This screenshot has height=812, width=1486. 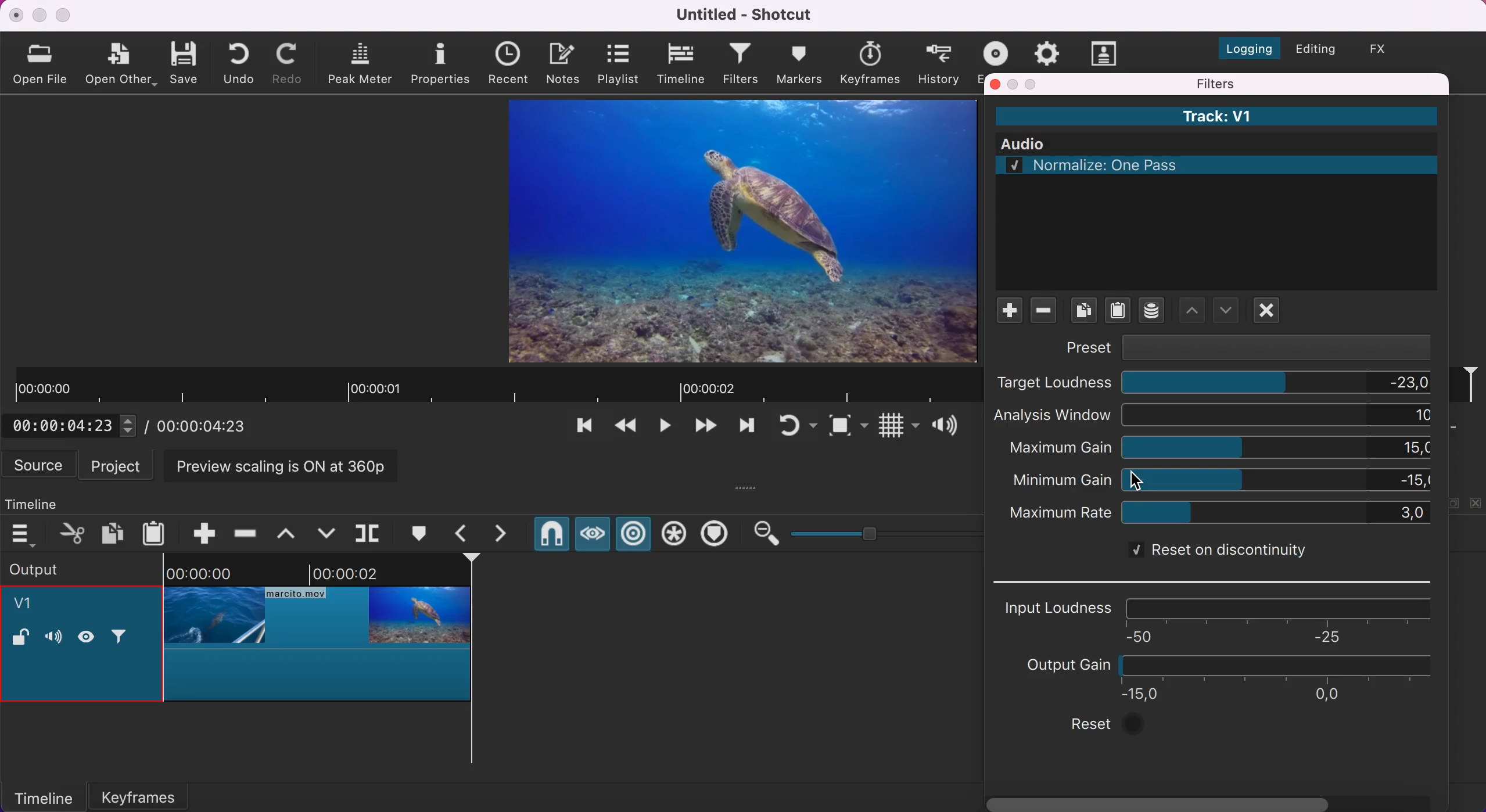 What do you see at coordinates (729, 229) in the screenshot?
I see `clip` at bounding box center [729, 229].